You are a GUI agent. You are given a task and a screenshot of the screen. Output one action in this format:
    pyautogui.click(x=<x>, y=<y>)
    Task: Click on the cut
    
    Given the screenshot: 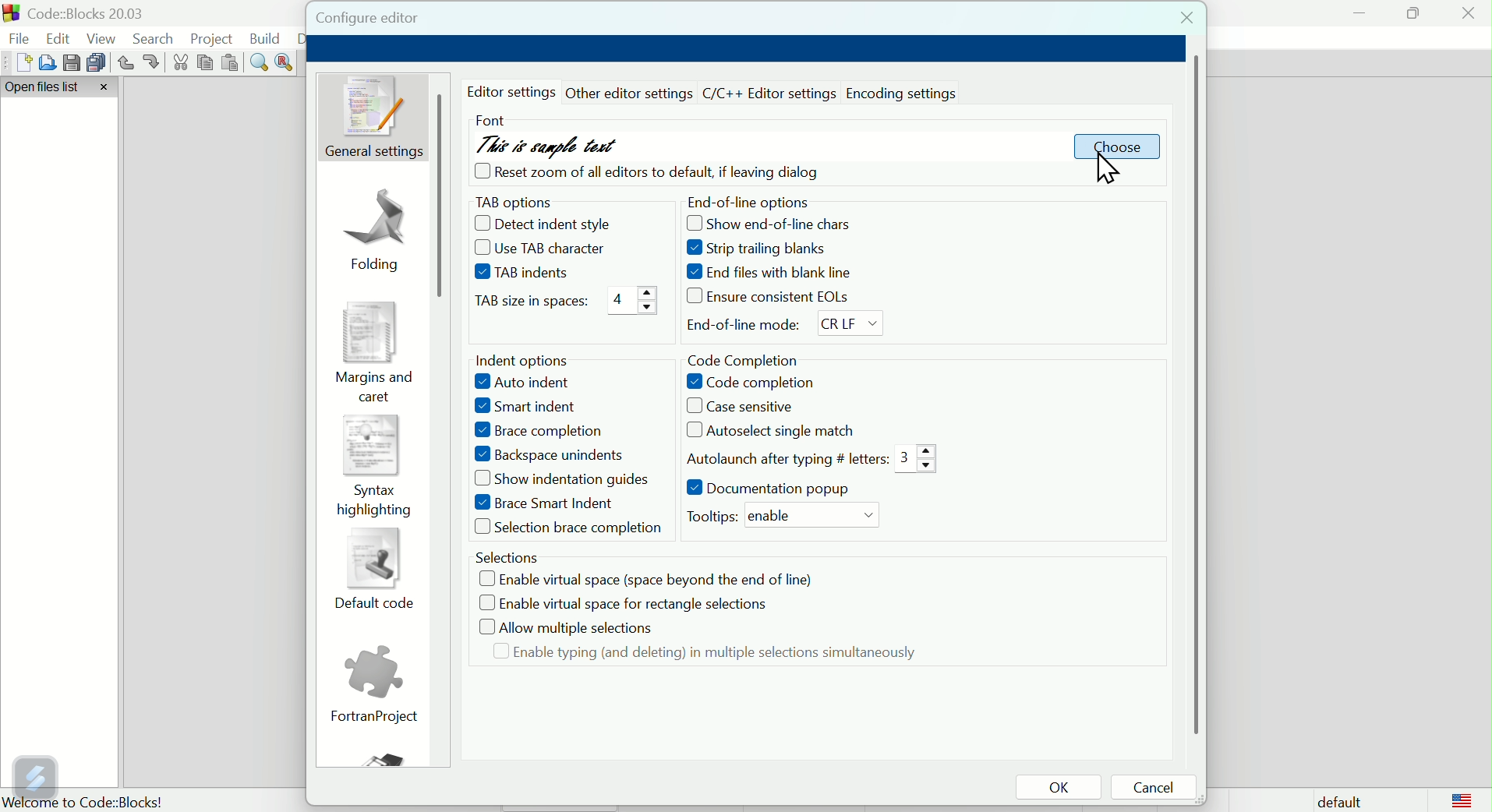 What is the action you would take?
    pyautogui.click(x=182, y=63)
    